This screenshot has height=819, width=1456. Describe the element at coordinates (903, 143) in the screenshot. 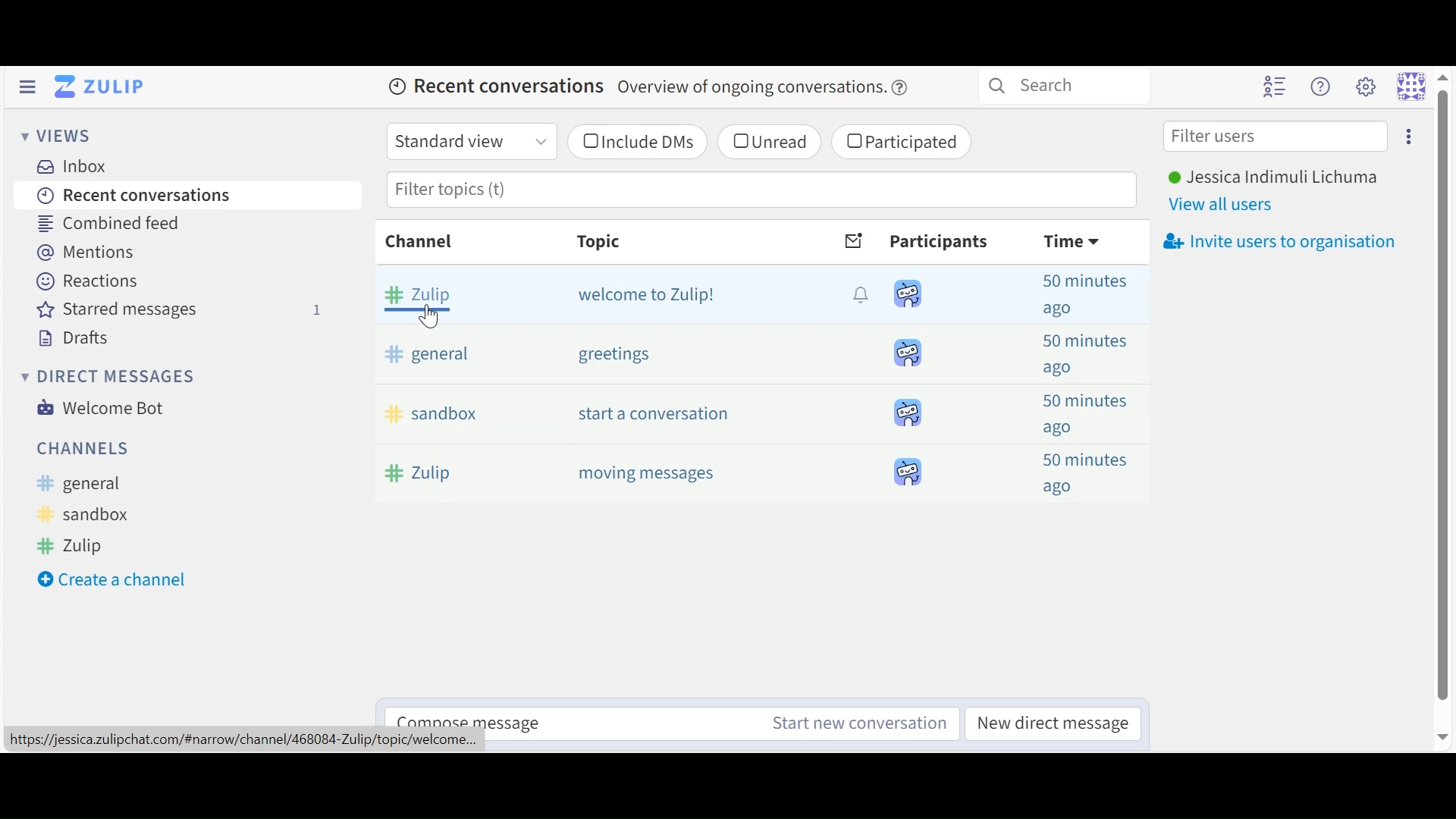

I see `(un)selectParticipated` at that location.